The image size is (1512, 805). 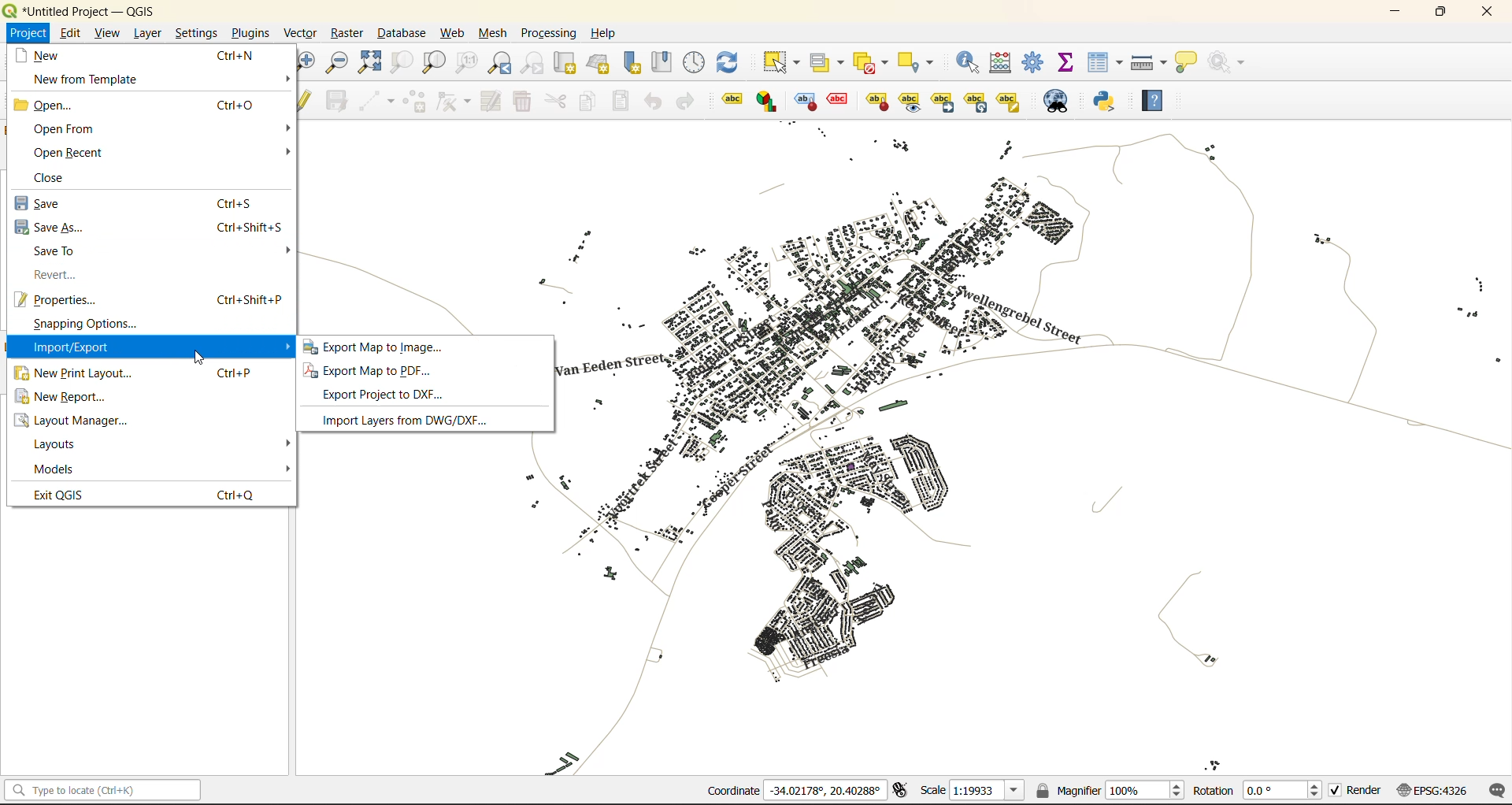 I want to click on web, so click(x=452, y=35).